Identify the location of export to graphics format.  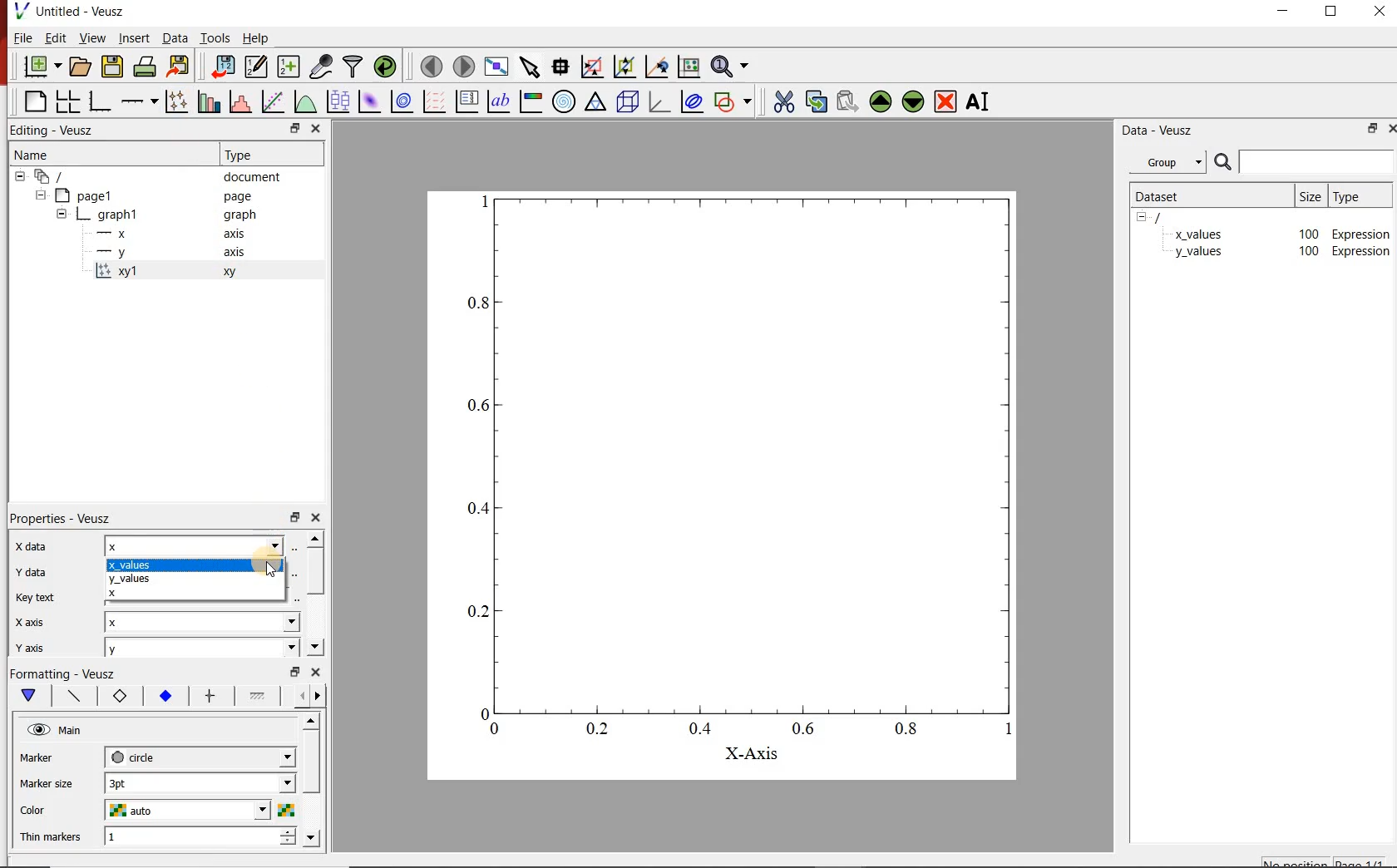
(180, 66).